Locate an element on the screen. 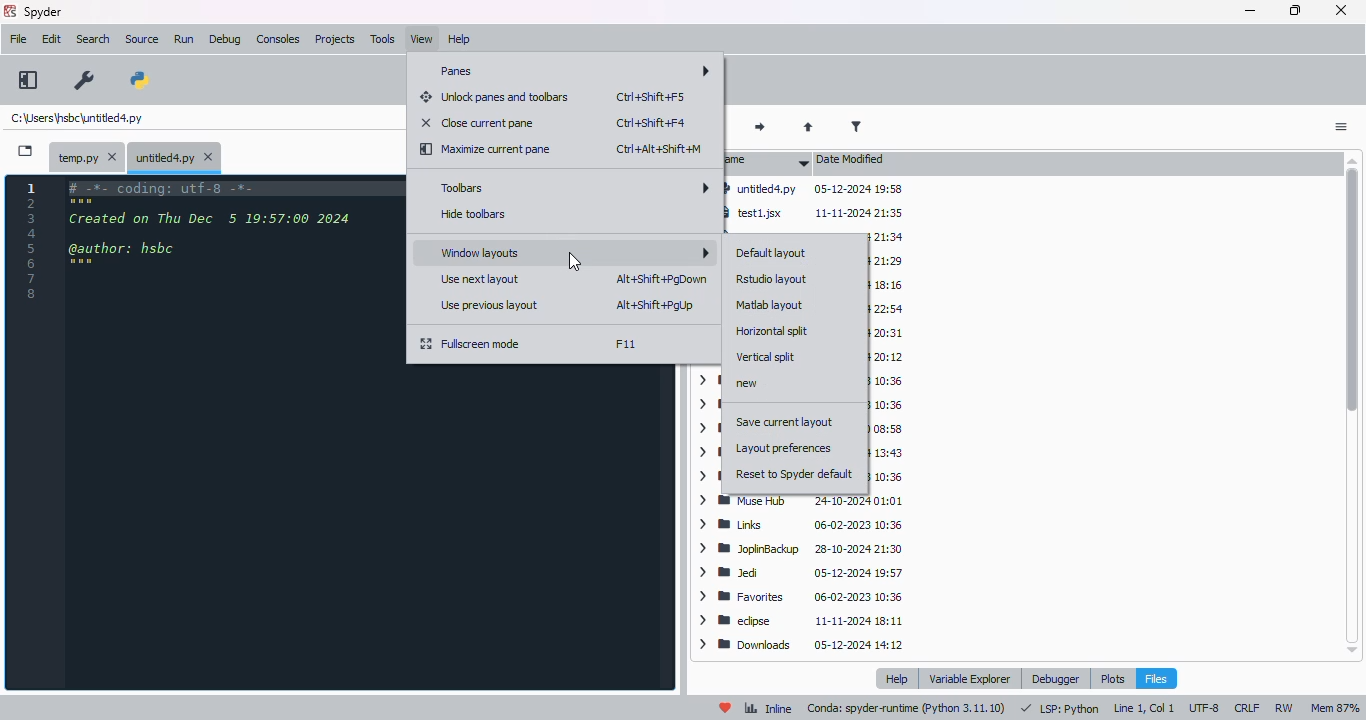  inline is located at coordinates (768, 709).